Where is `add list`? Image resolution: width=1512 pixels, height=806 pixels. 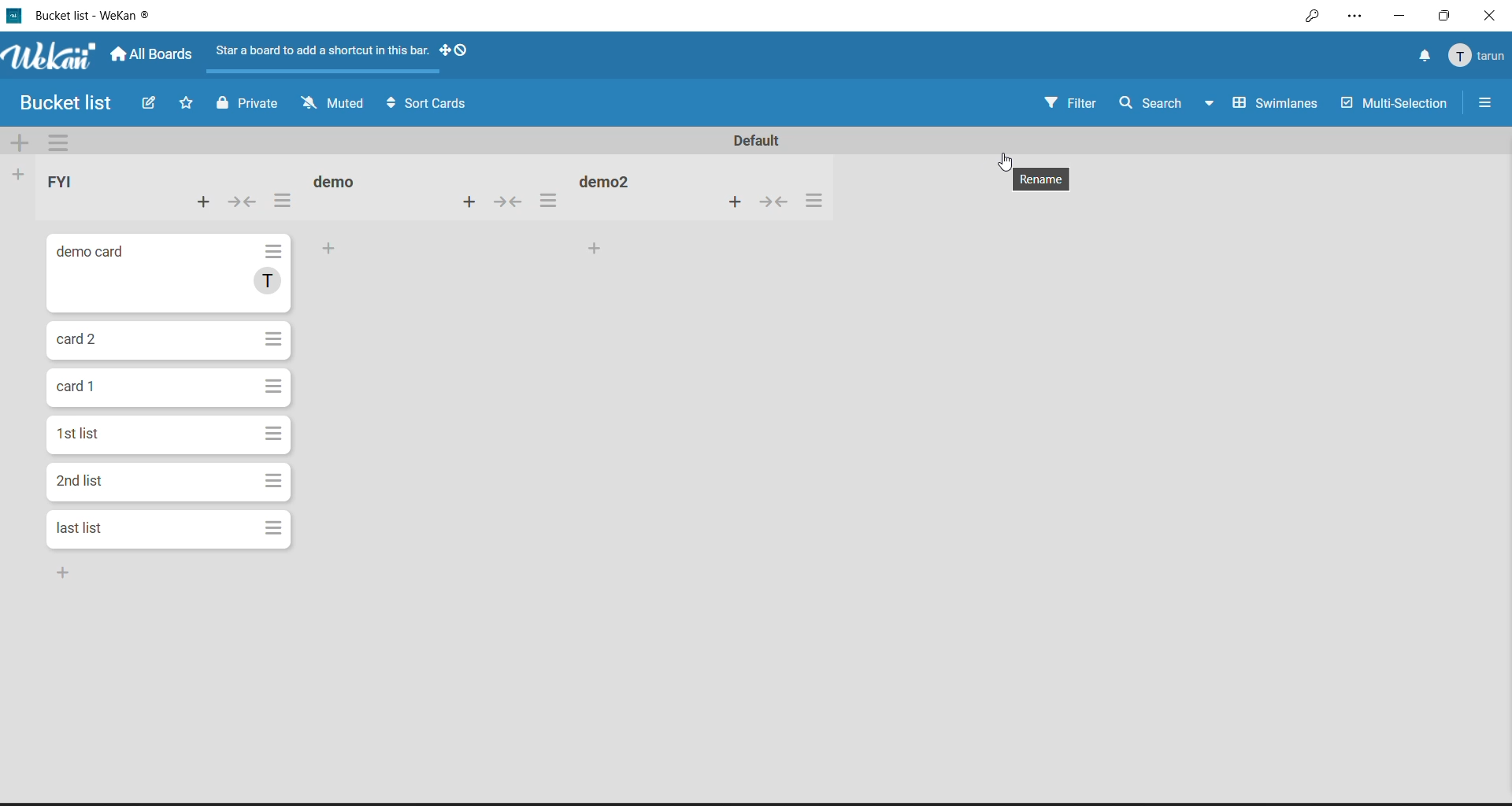 add list is located at coordinates (22, 175).